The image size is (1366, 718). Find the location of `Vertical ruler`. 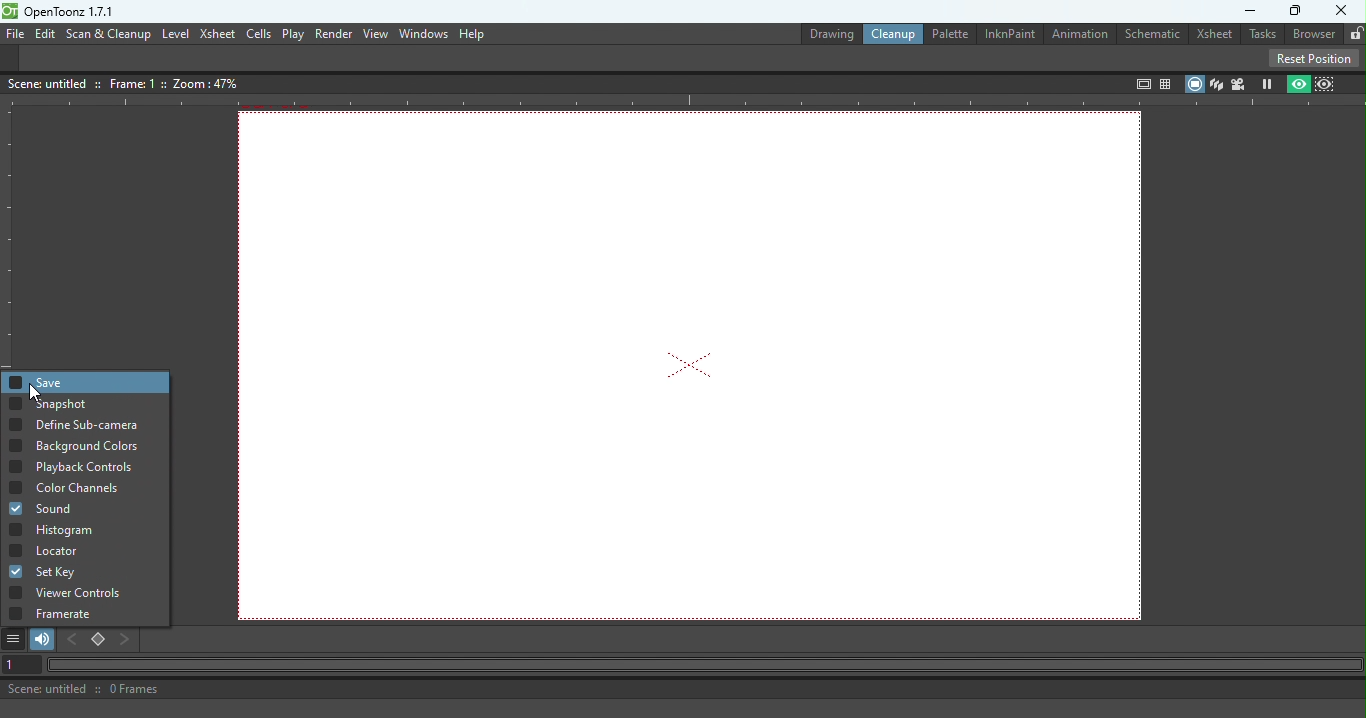

Vertical ruler is located at coordinates (9, 238).